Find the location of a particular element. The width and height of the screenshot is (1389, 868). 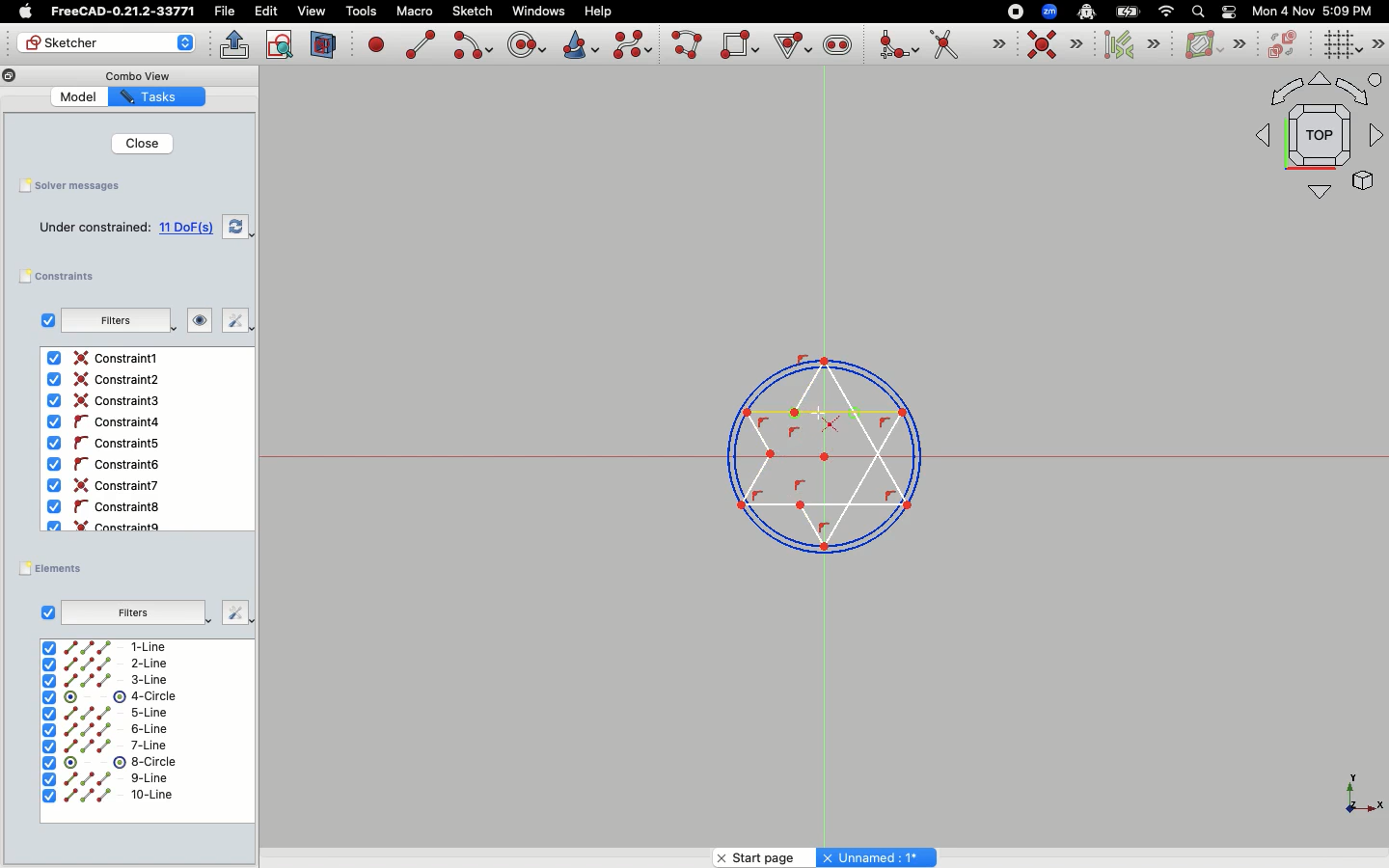

Constraint5 is located at coordinates (103, 444).